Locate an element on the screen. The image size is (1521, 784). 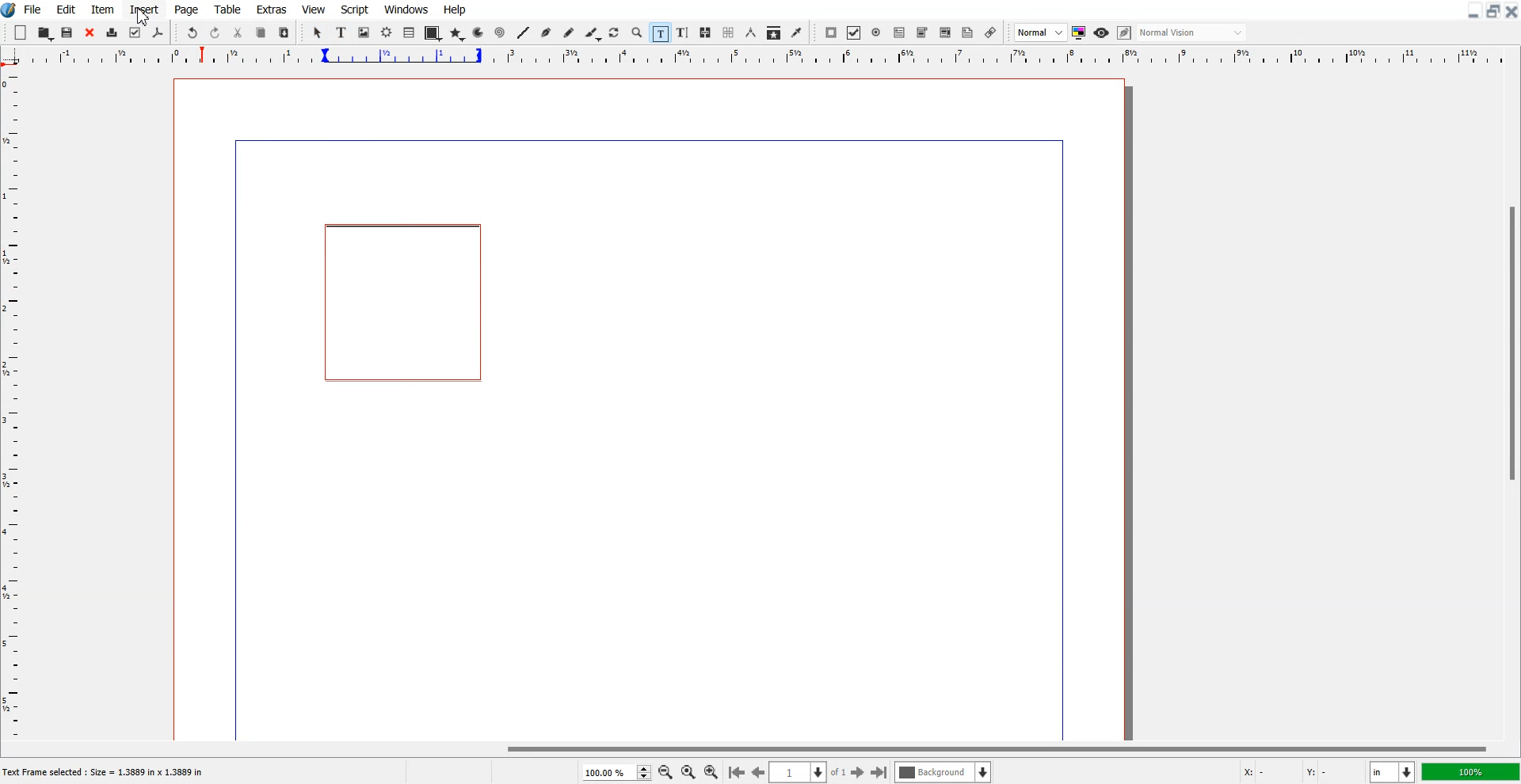
Edit in preview is located at coordinates (1126, 33).